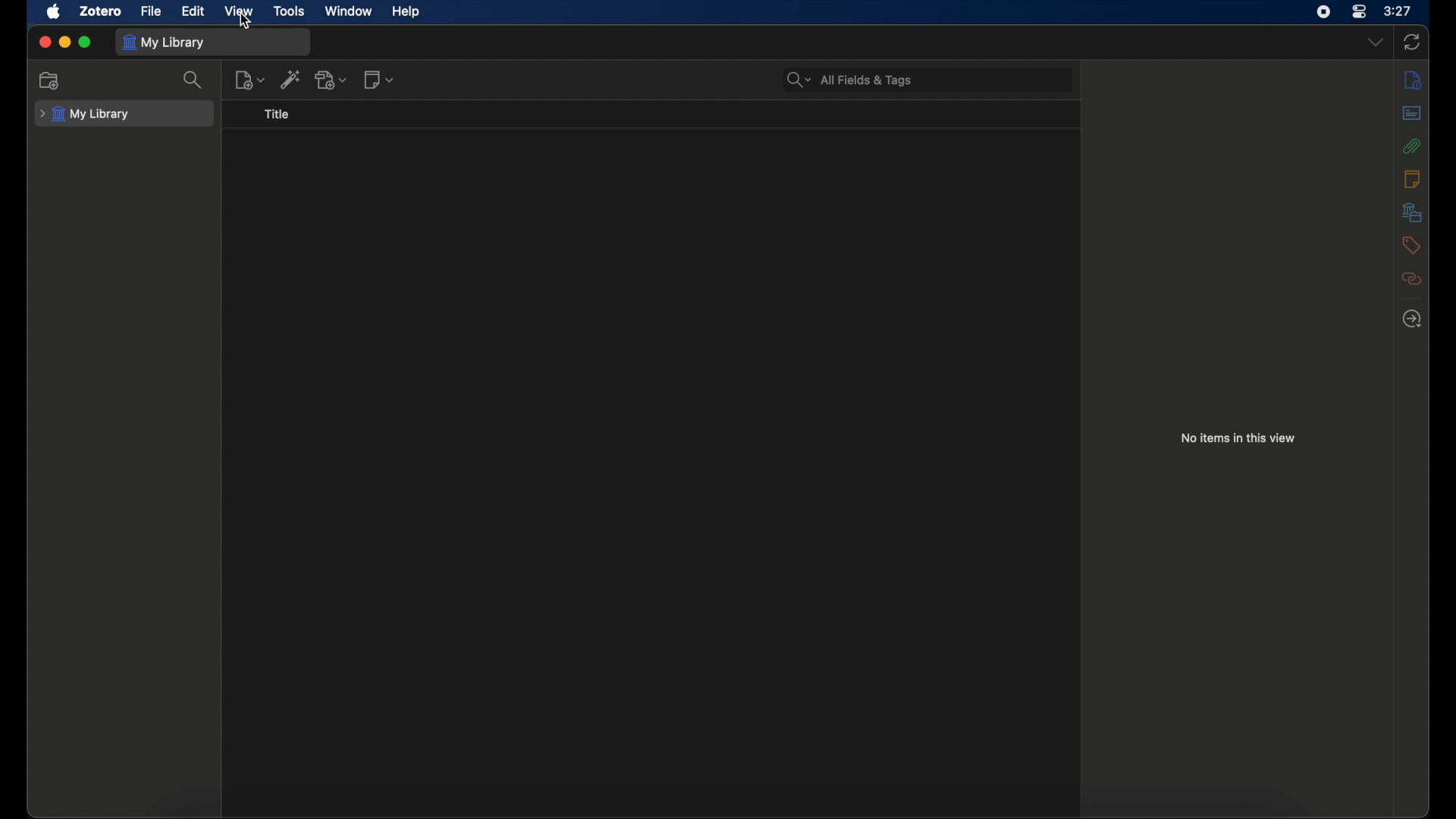  I want to click on control center, so click(1359, 11).